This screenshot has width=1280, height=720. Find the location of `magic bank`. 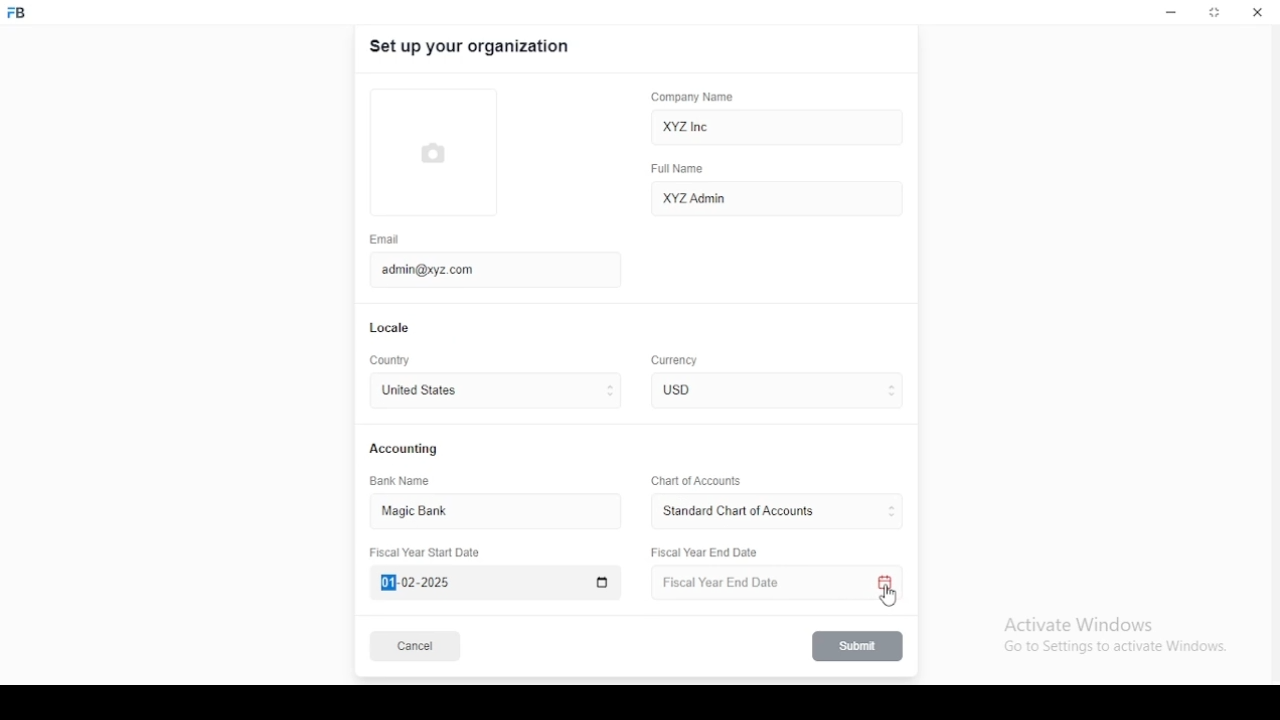

magic bank is located at coordinates (423, 512).